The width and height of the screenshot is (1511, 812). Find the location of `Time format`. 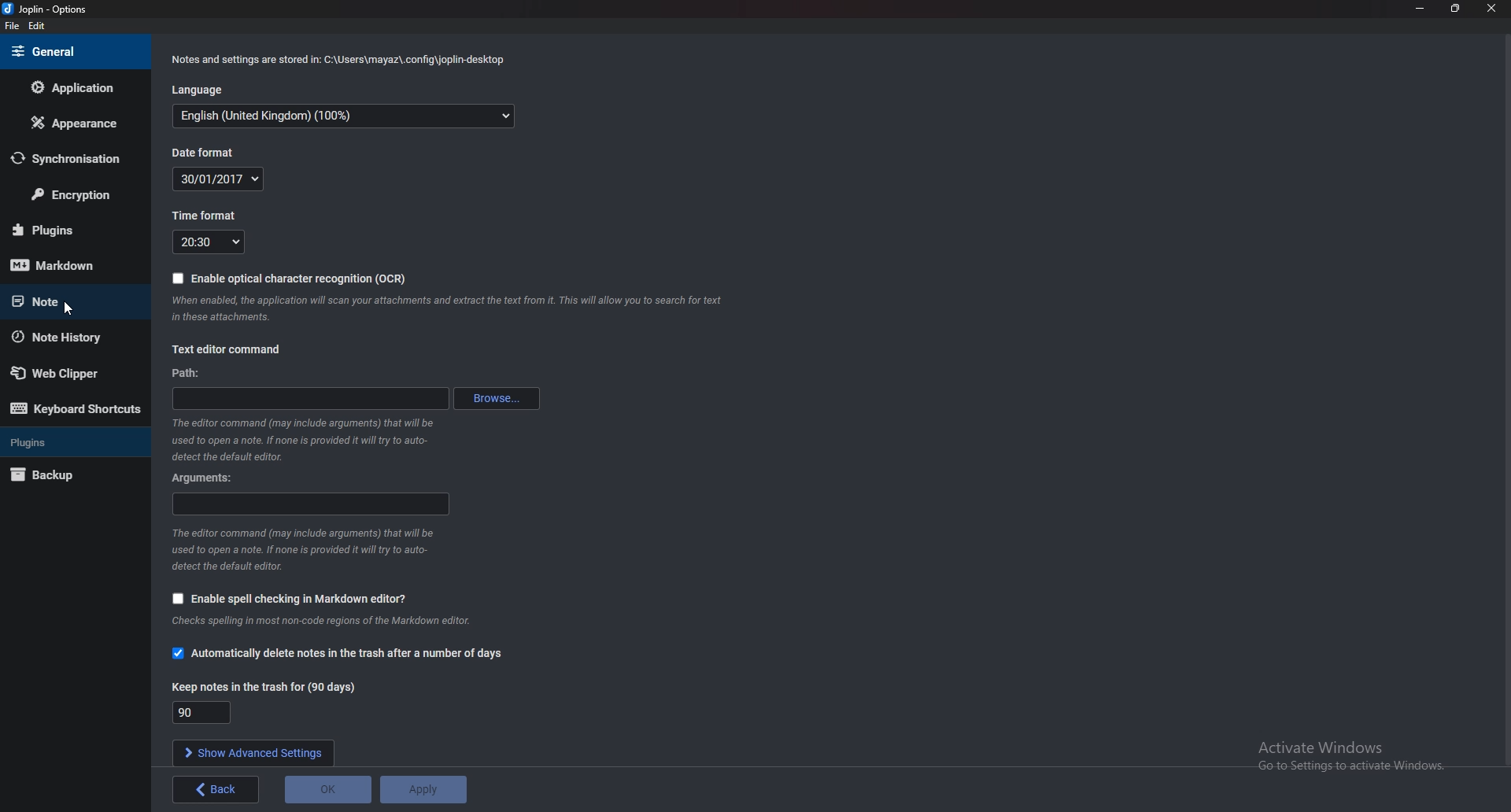

Time format is located at coordinates (208, 242).